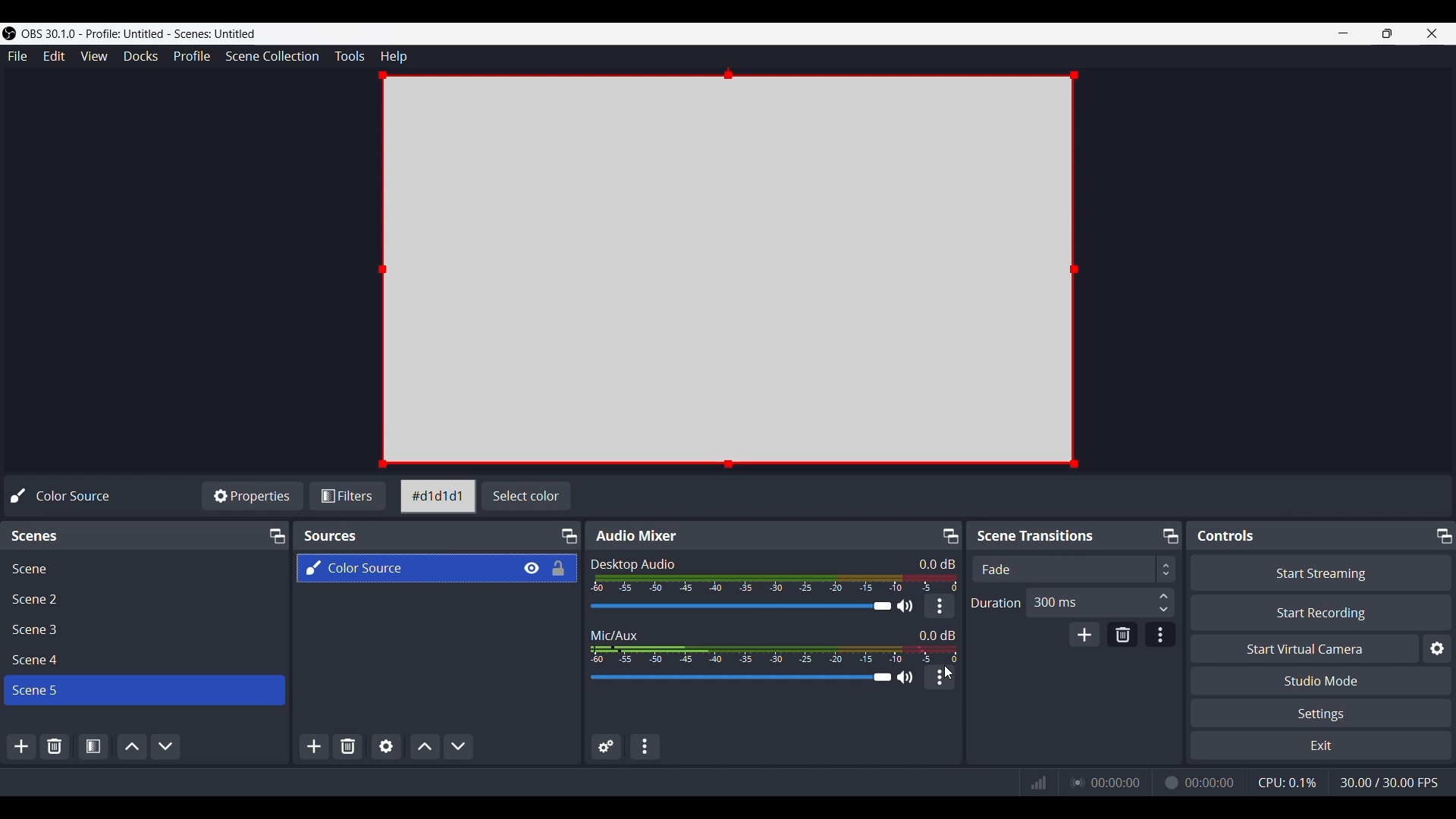 The width and height of the screenshot is (1456, 819). I want to click on Text, so click(67, 496).